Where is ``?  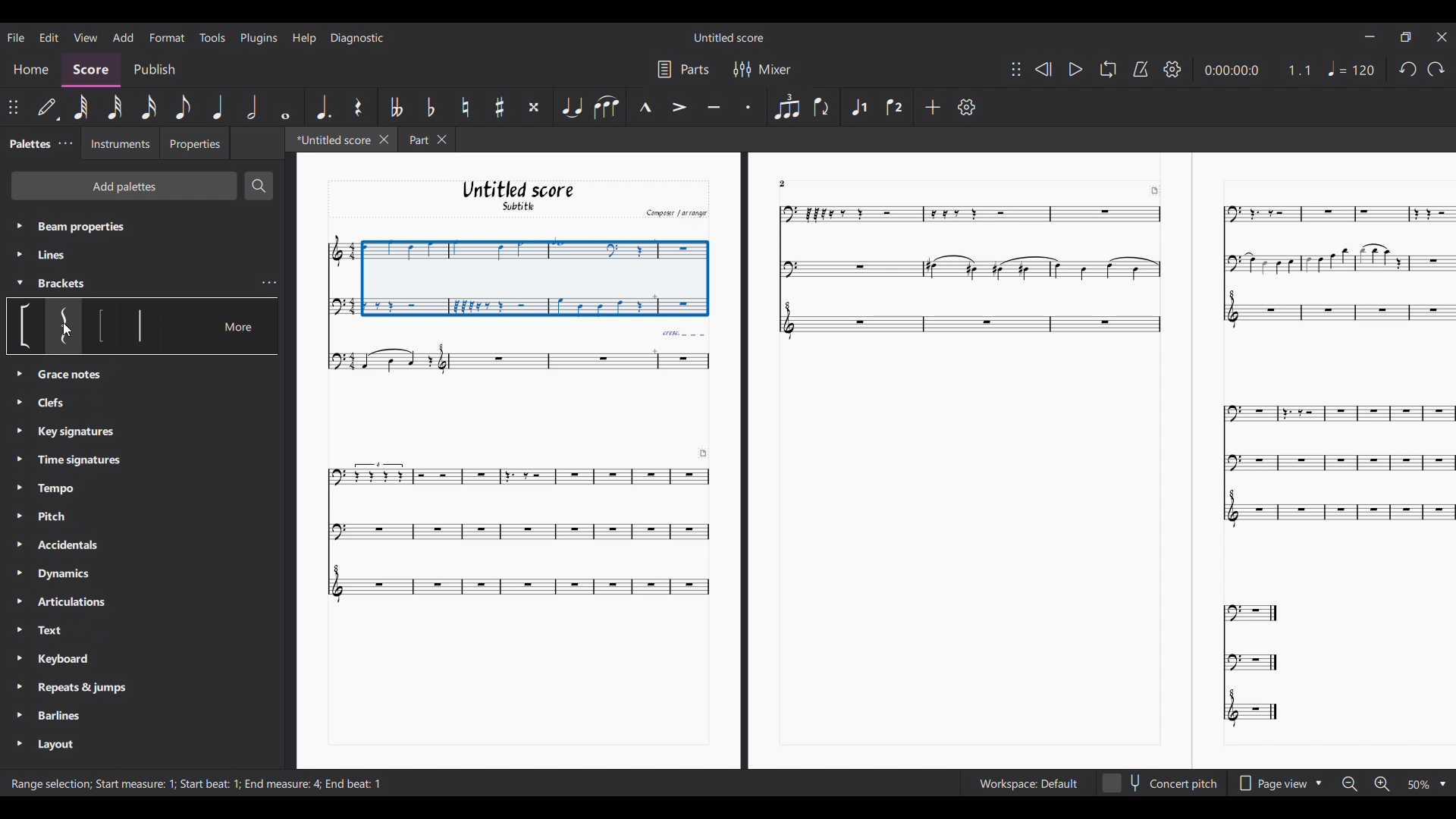
 is located at coordinates (973, 215).